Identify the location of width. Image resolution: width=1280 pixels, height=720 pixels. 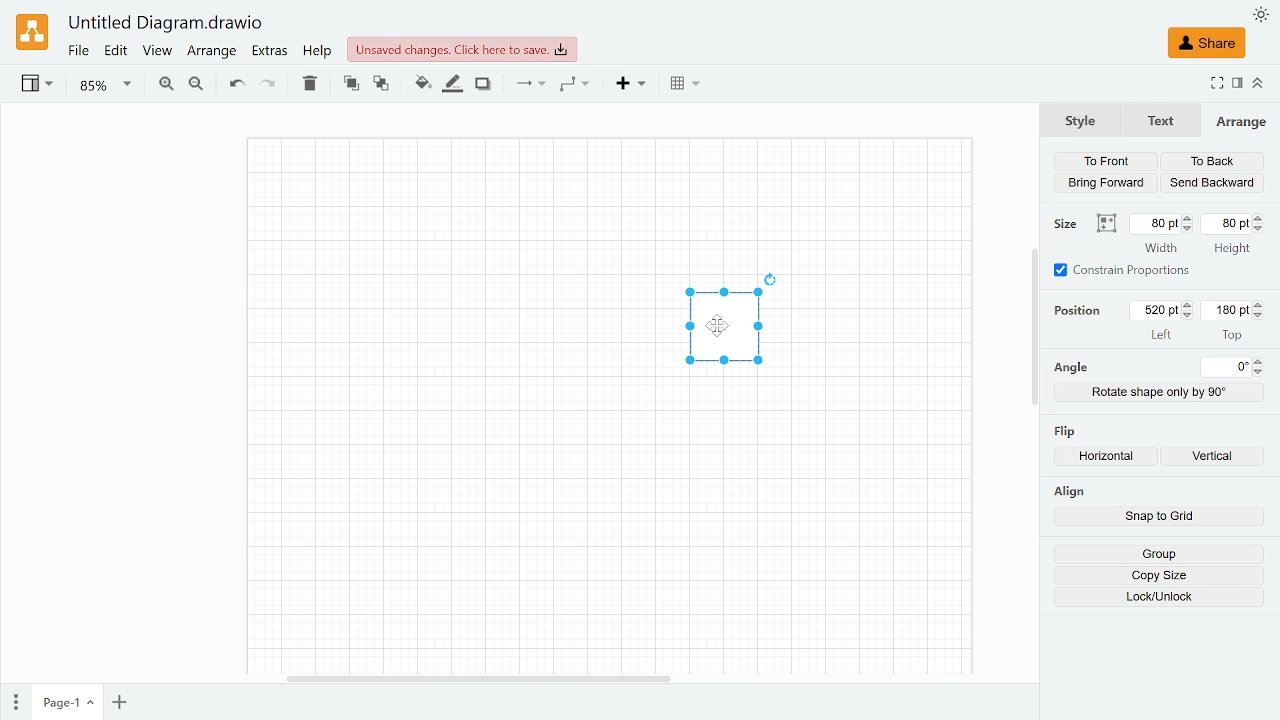
(1161, 248).